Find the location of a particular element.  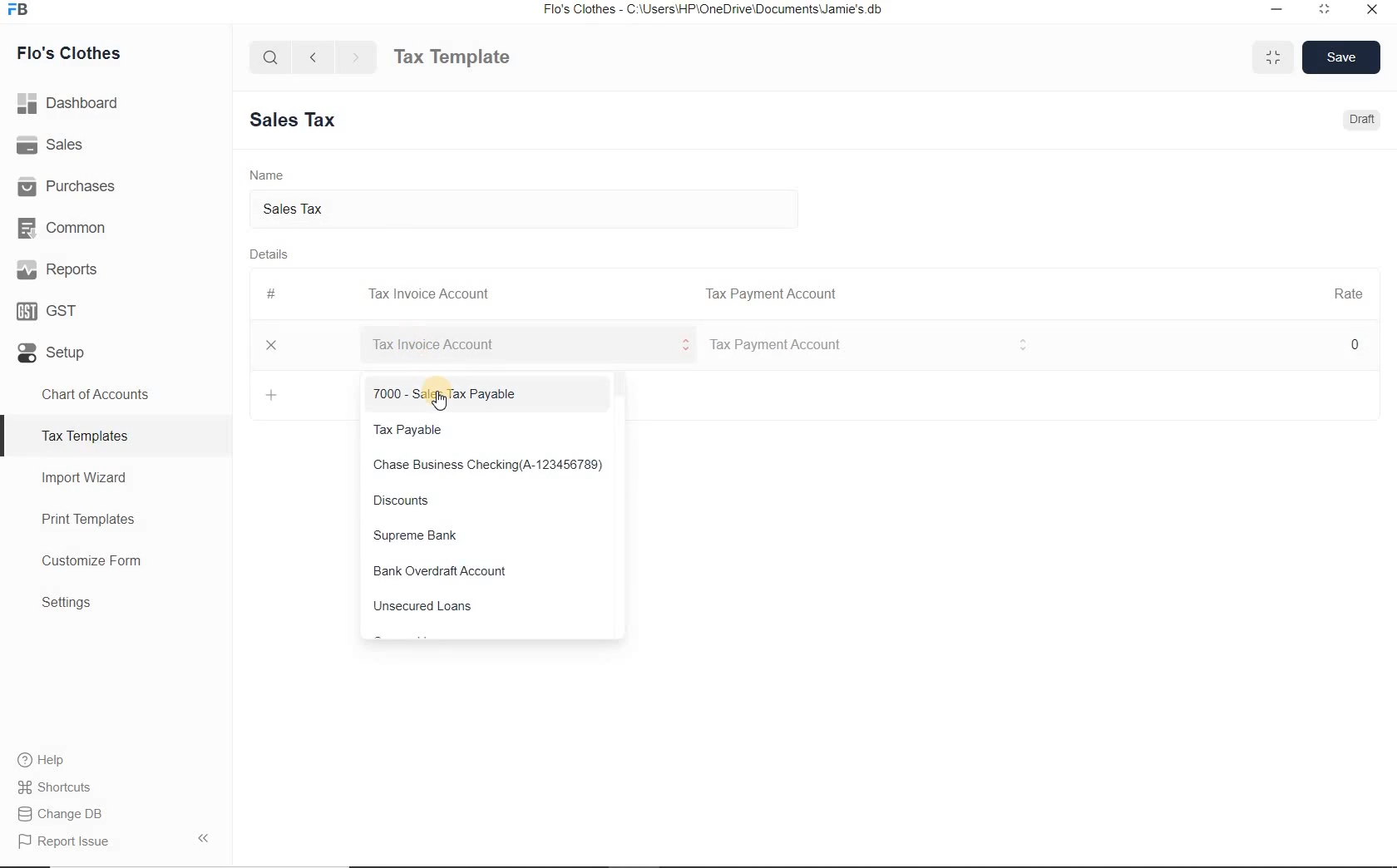

FB Logo is located at coordinates (17, 10).